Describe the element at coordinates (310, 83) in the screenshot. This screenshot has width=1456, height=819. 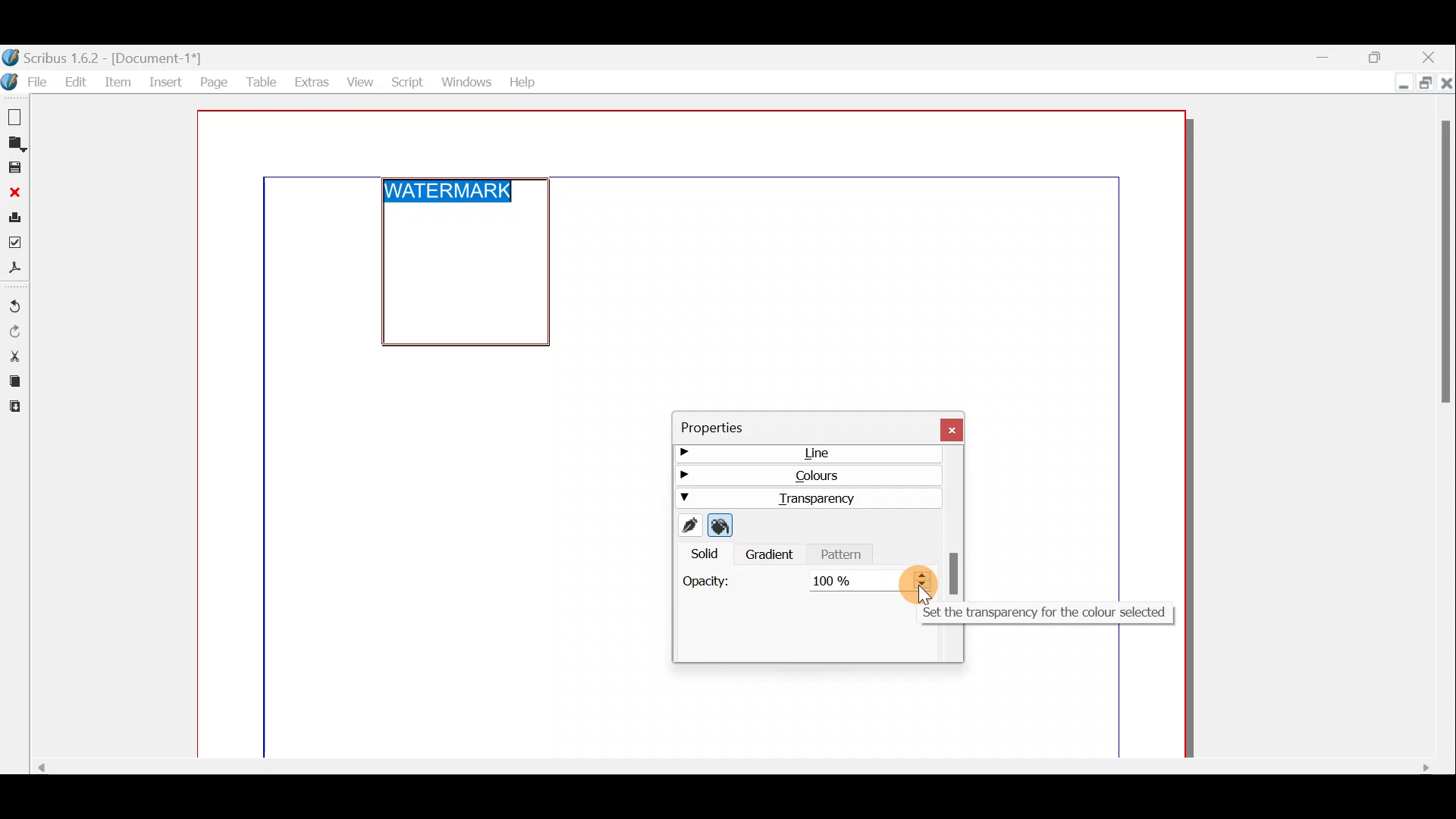
I see `Extras` at that location.